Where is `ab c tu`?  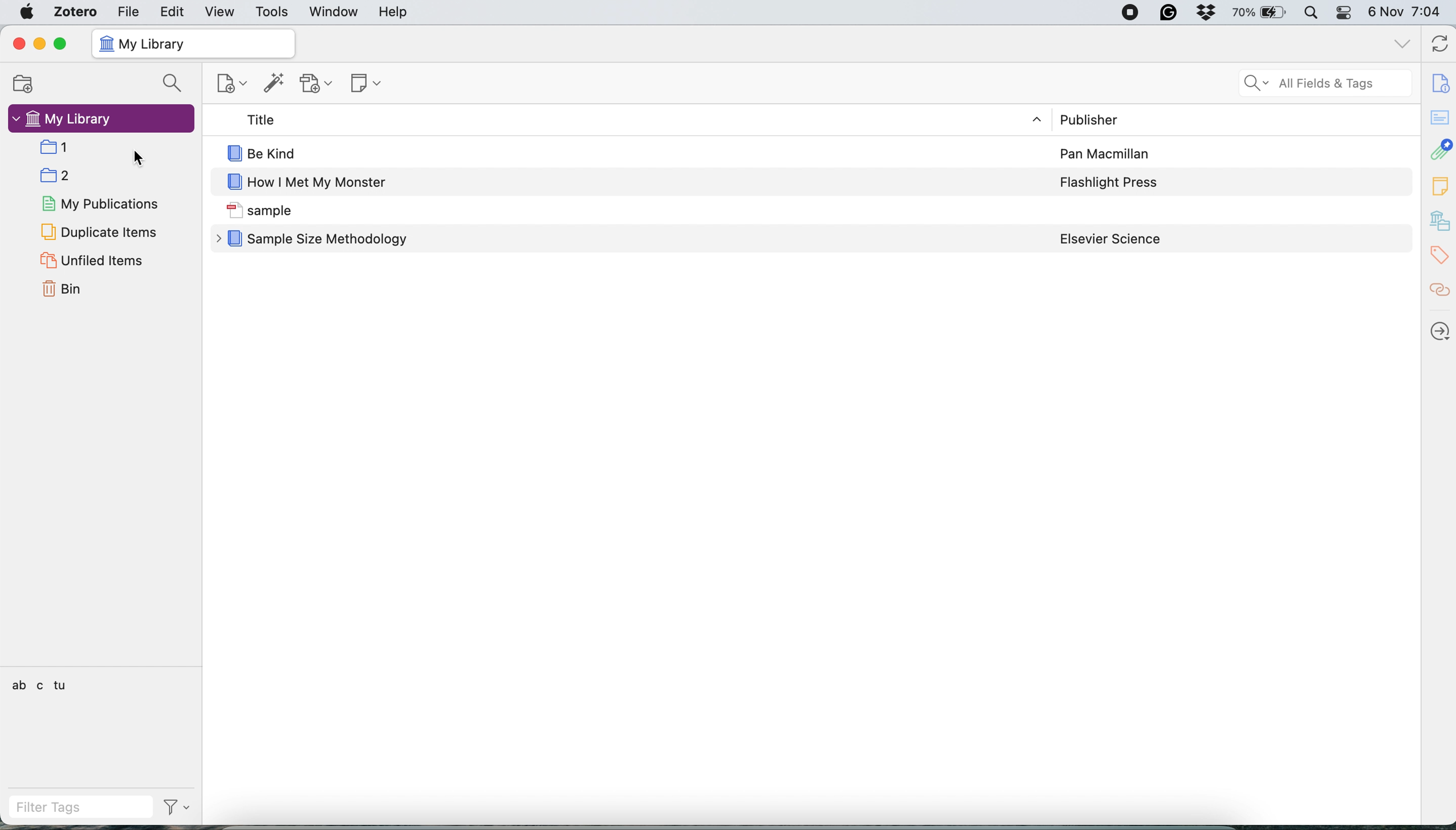 ab c tu is located at coordinates (40, 685).